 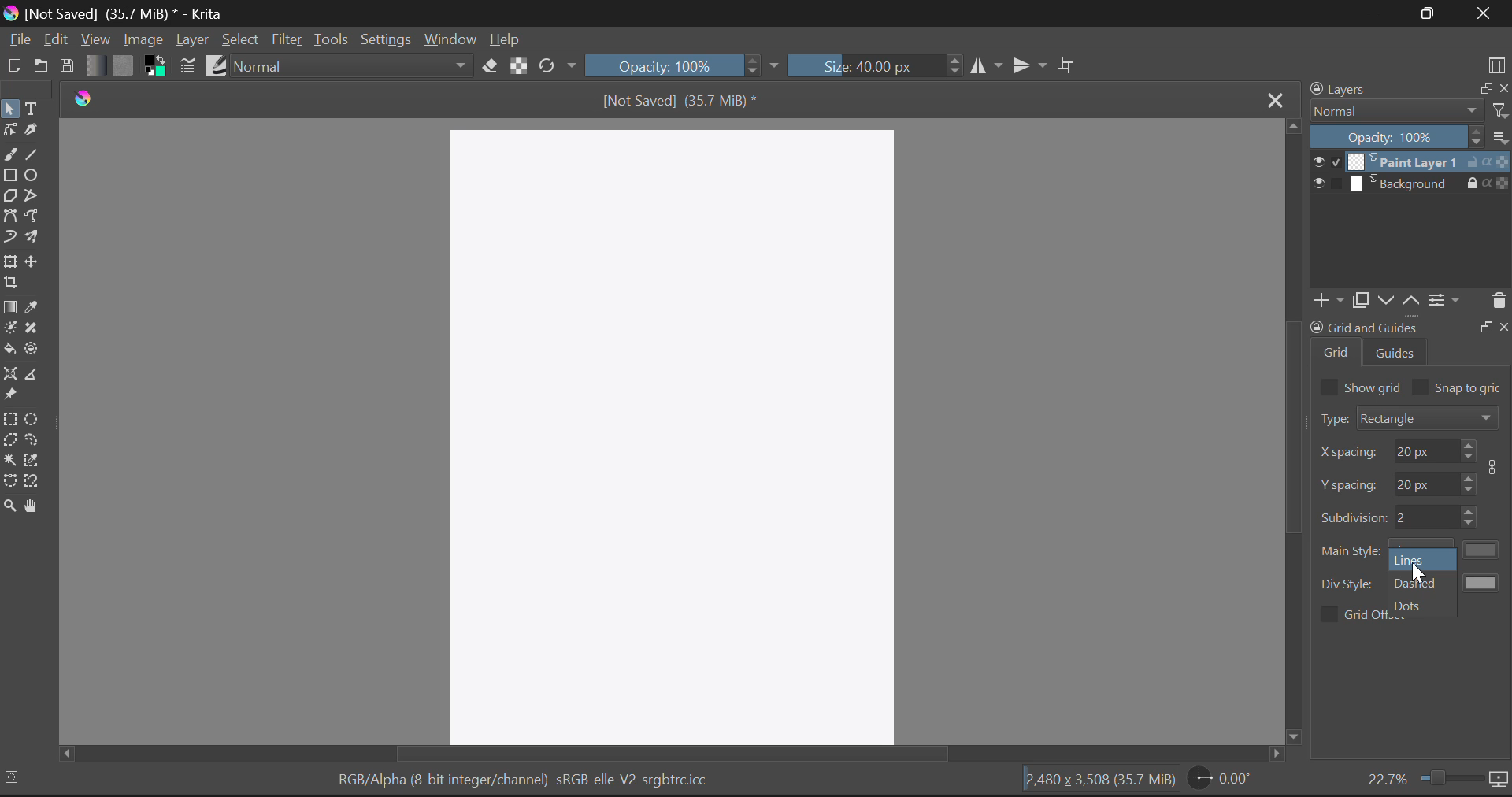 What do you see at coordinates (9, 350) in the screenshot?
I see `Fill` at bounding box center [9, 350].